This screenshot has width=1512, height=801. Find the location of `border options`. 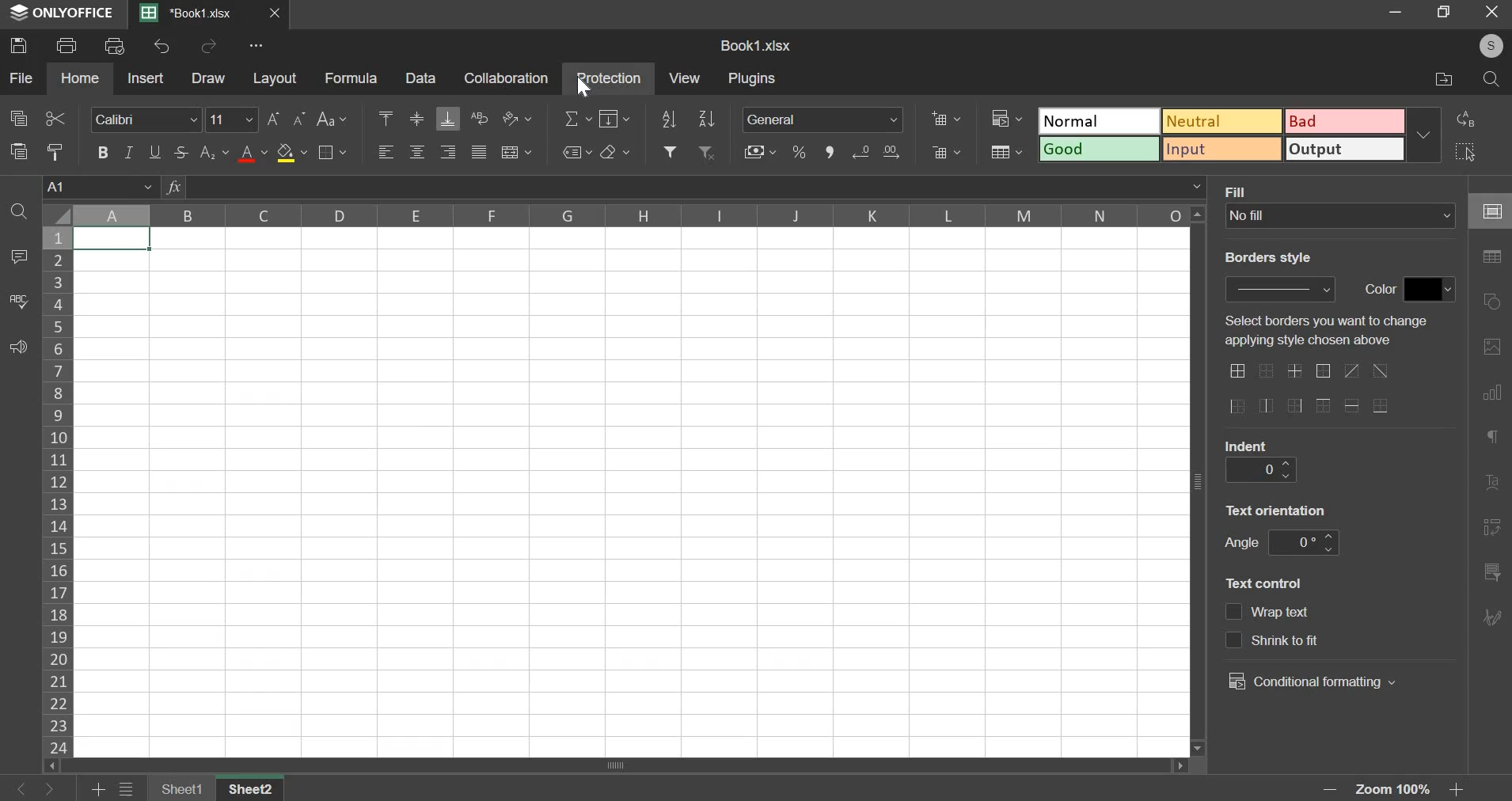

border options is located at coordinates (1380, 406).